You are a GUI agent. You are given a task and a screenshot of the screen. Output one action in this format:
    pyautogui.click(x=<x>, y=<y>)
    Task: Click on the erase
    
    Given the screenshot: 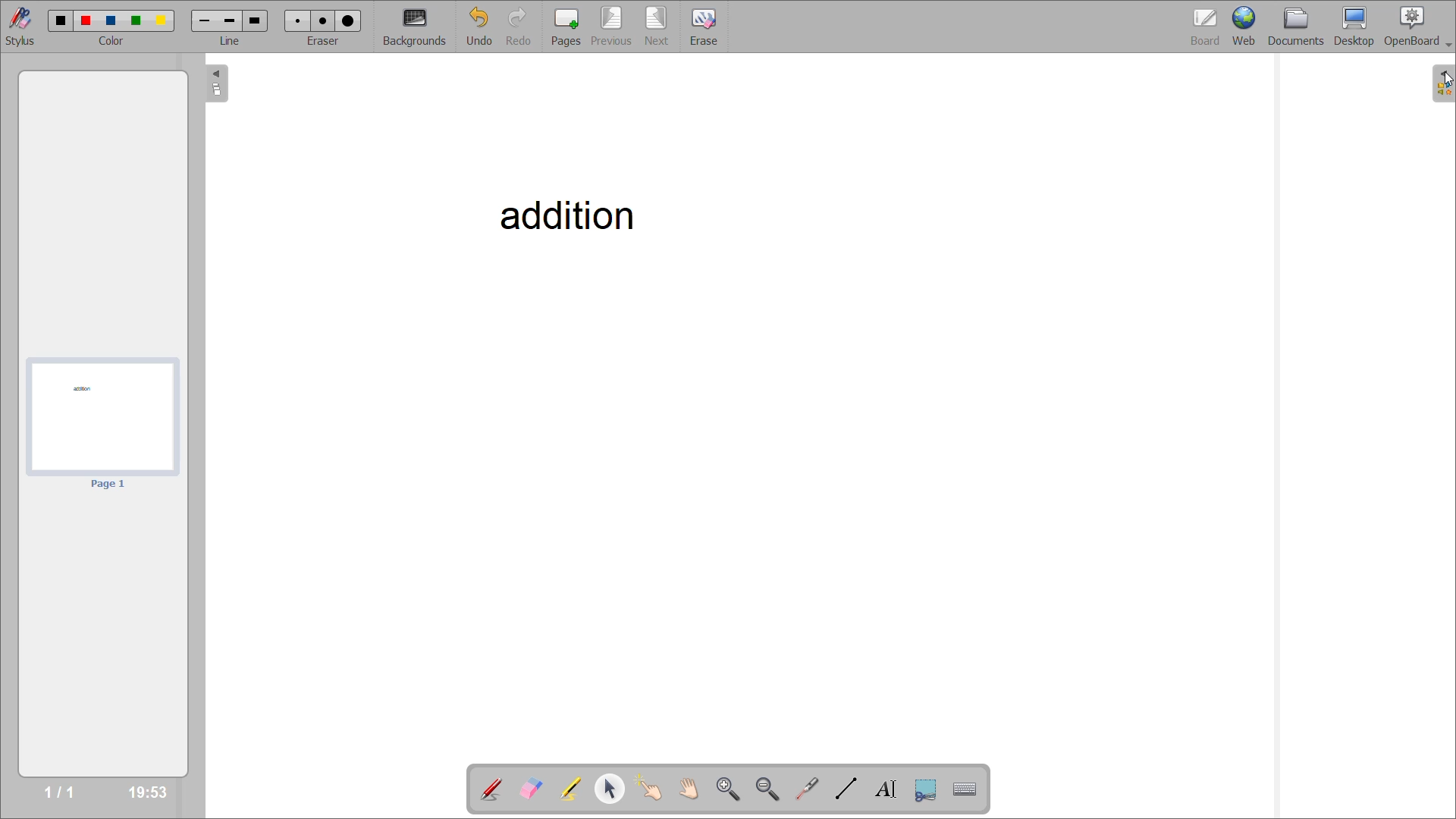 What is the action you would take?
    pyautogui.click(x=704, y=28)
    